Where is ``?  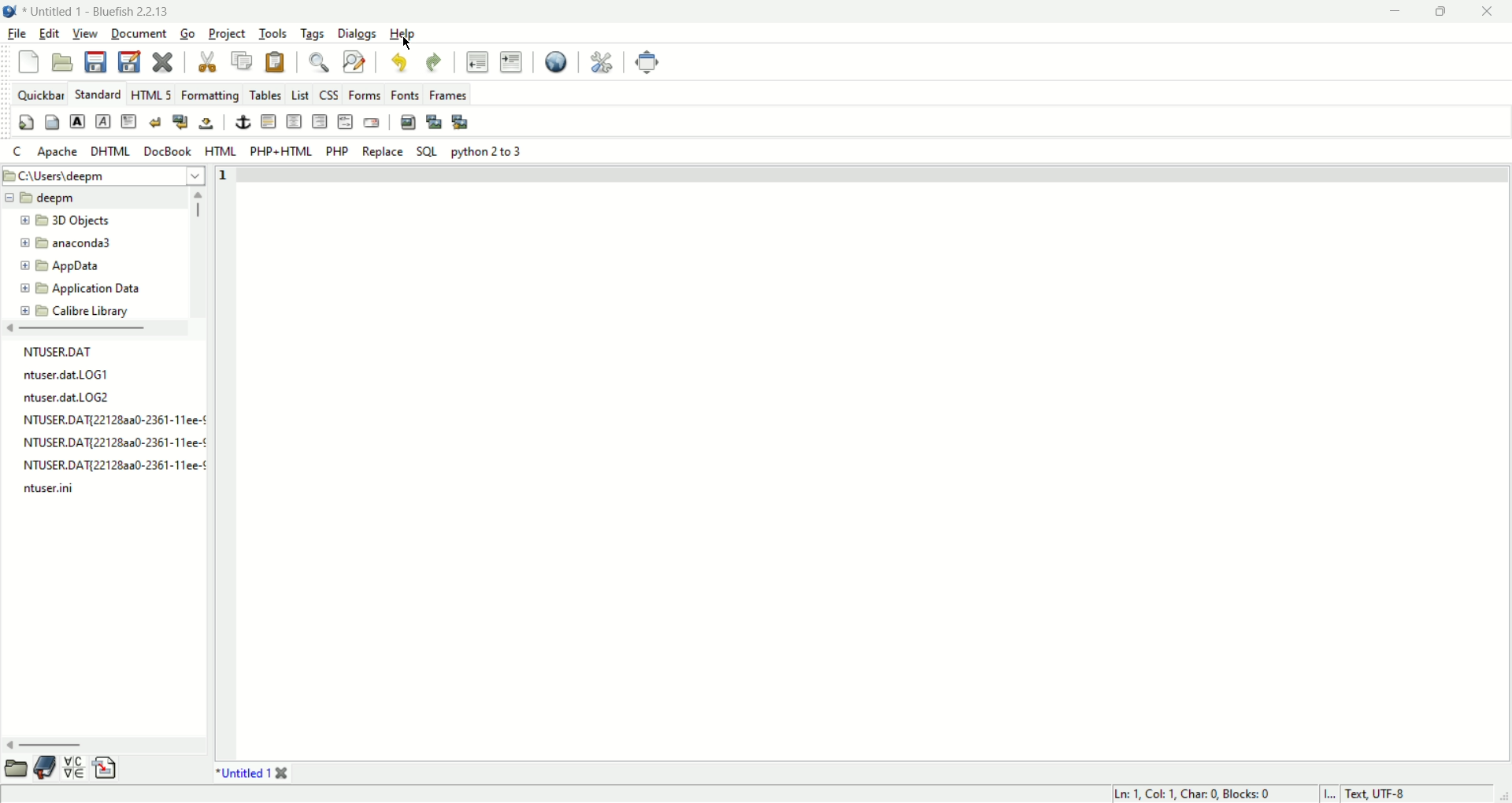  is located at coordinates (2071, 1080).